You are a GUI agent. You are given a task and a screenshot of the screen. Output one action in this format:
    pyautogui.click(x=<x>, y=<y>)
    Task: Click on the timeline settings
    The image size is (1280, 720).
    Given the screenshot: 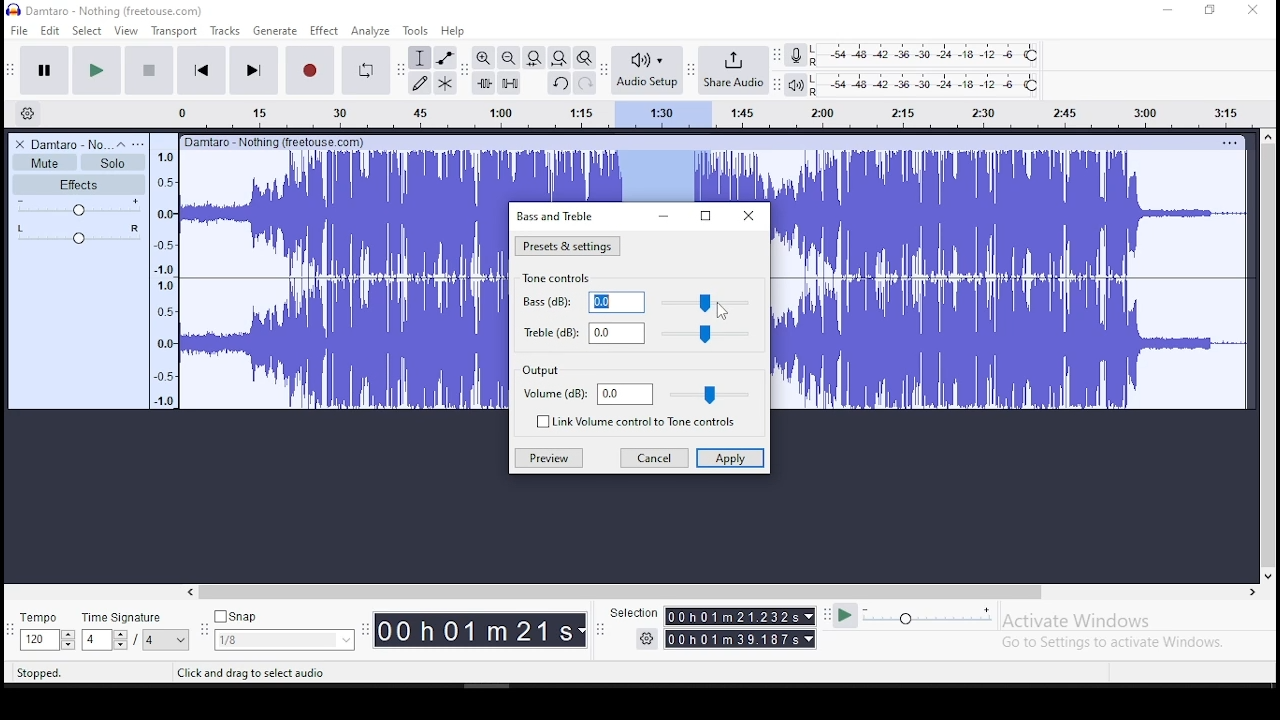 What is the action you would take?
    pyautogui.click(x=26, y=112)
    